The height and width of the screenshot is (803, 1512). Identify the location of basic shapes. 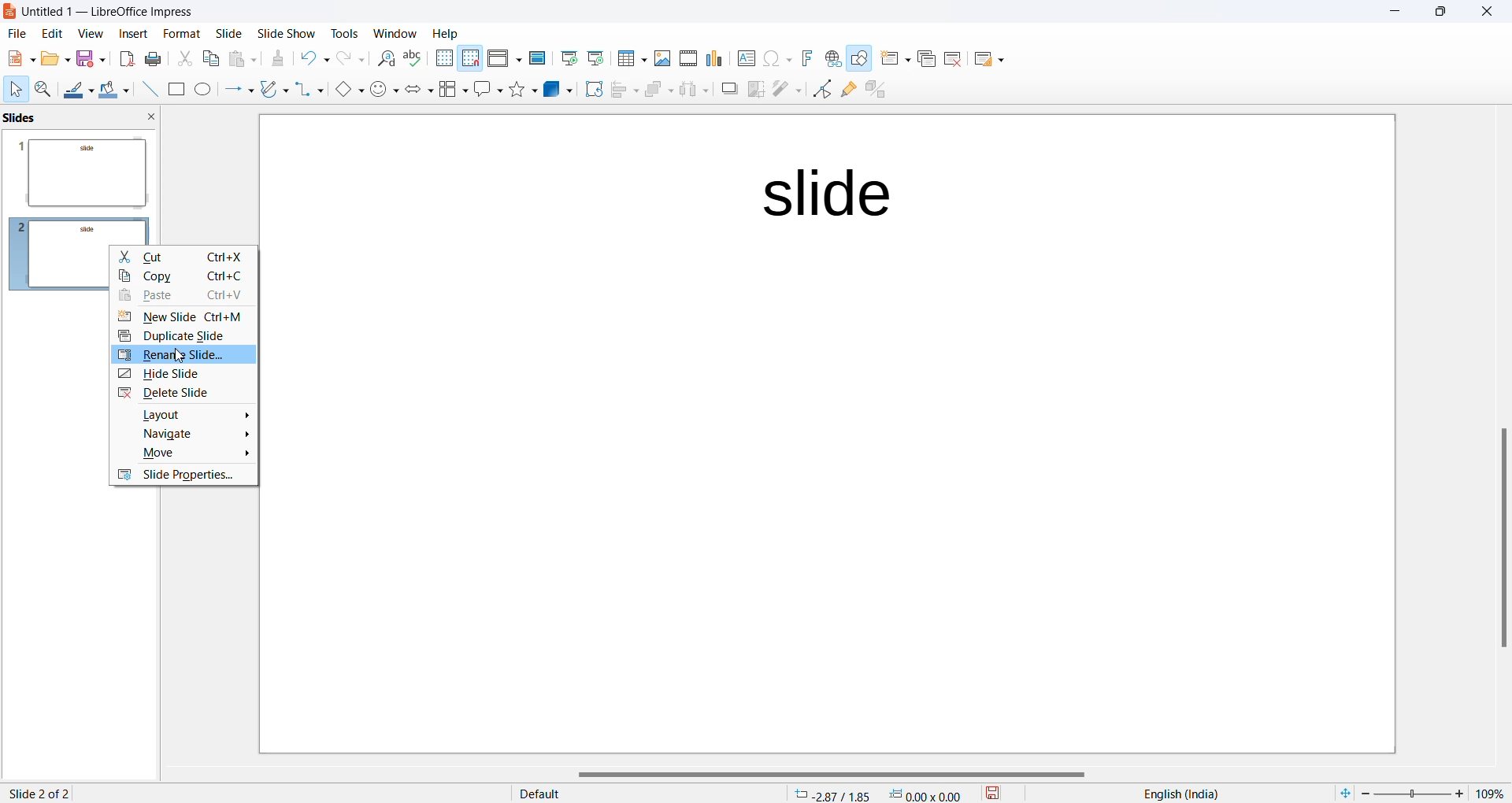
(344, 88).